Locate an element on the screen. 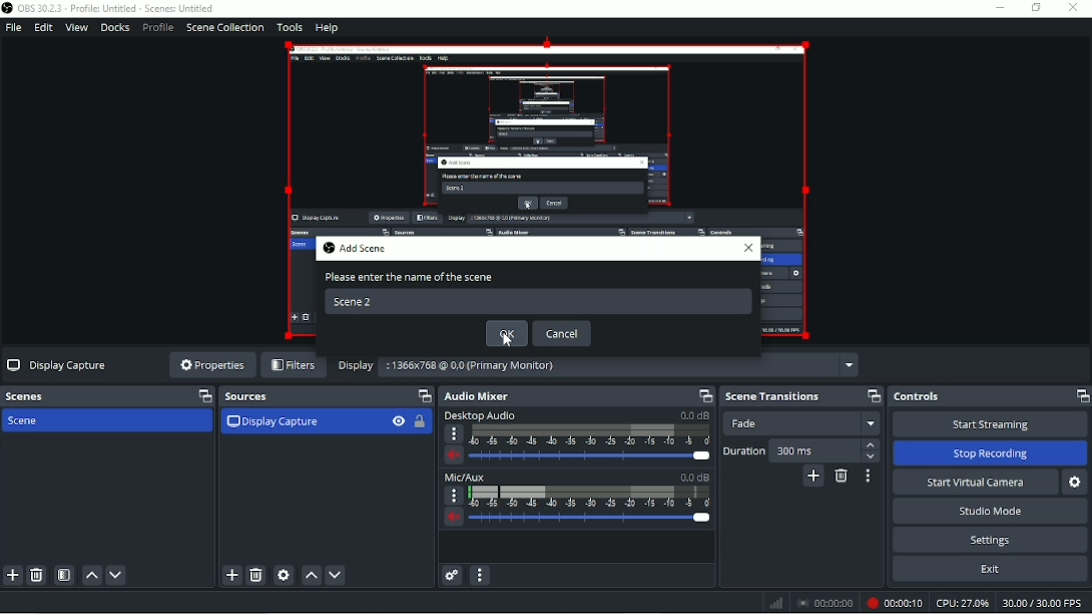  Scale is located at coordinates (591, 434).